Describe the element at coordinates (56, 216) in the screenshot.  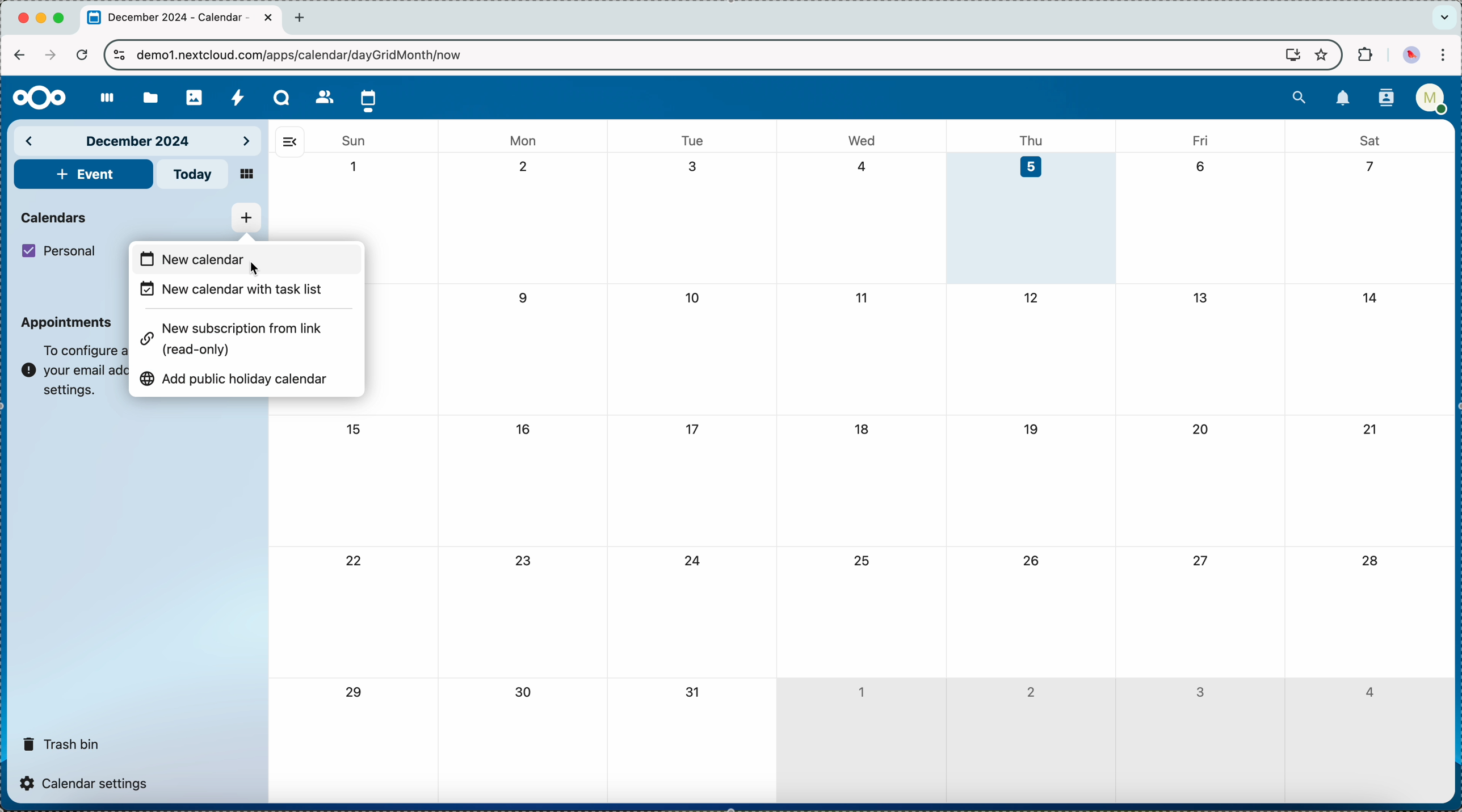
I see `calendars` at that location.